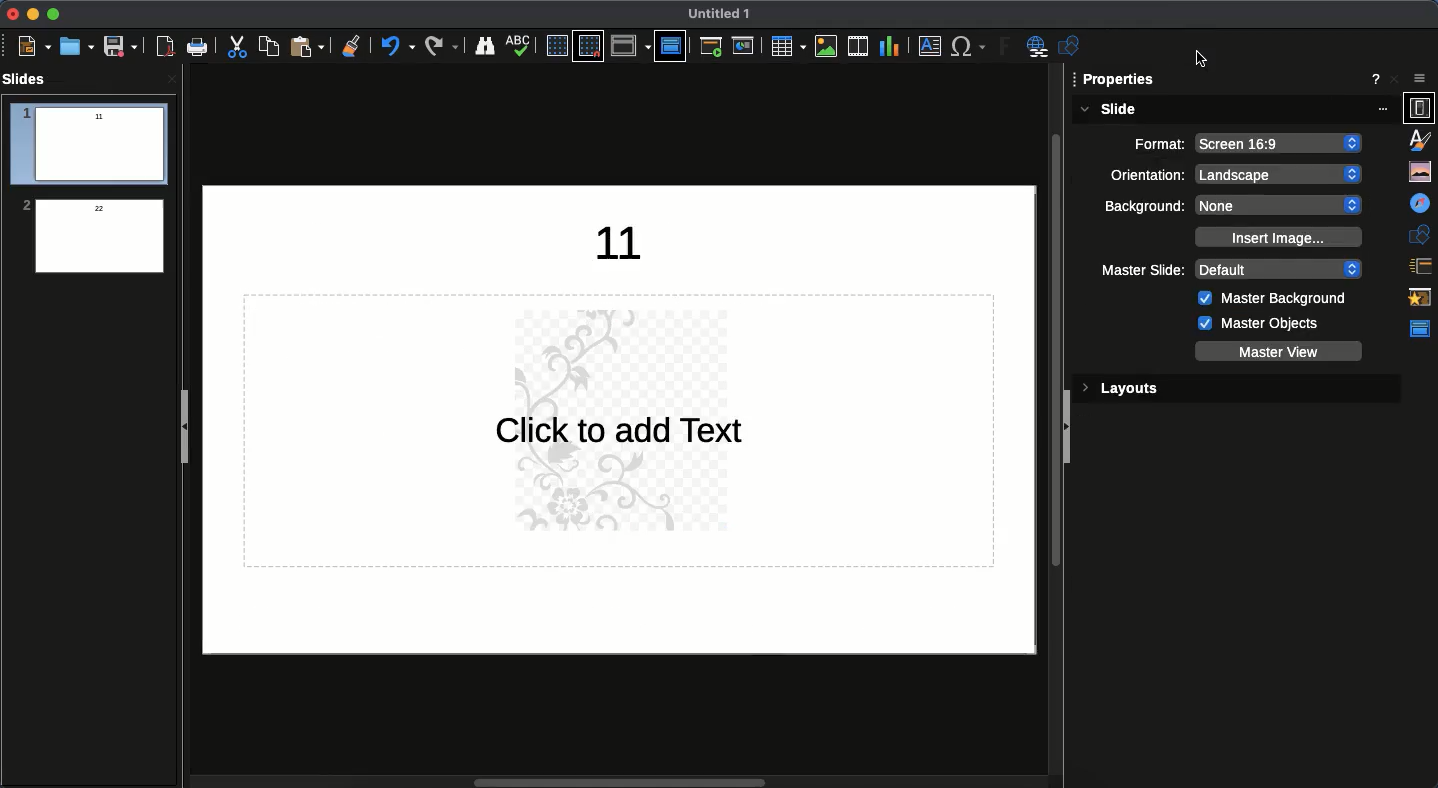 The height and width of the screenshot is (788, 1438). What do you see at coordinates (397, 46) in the screenshot?
I see `Undo` at bounding box center [397, 46].